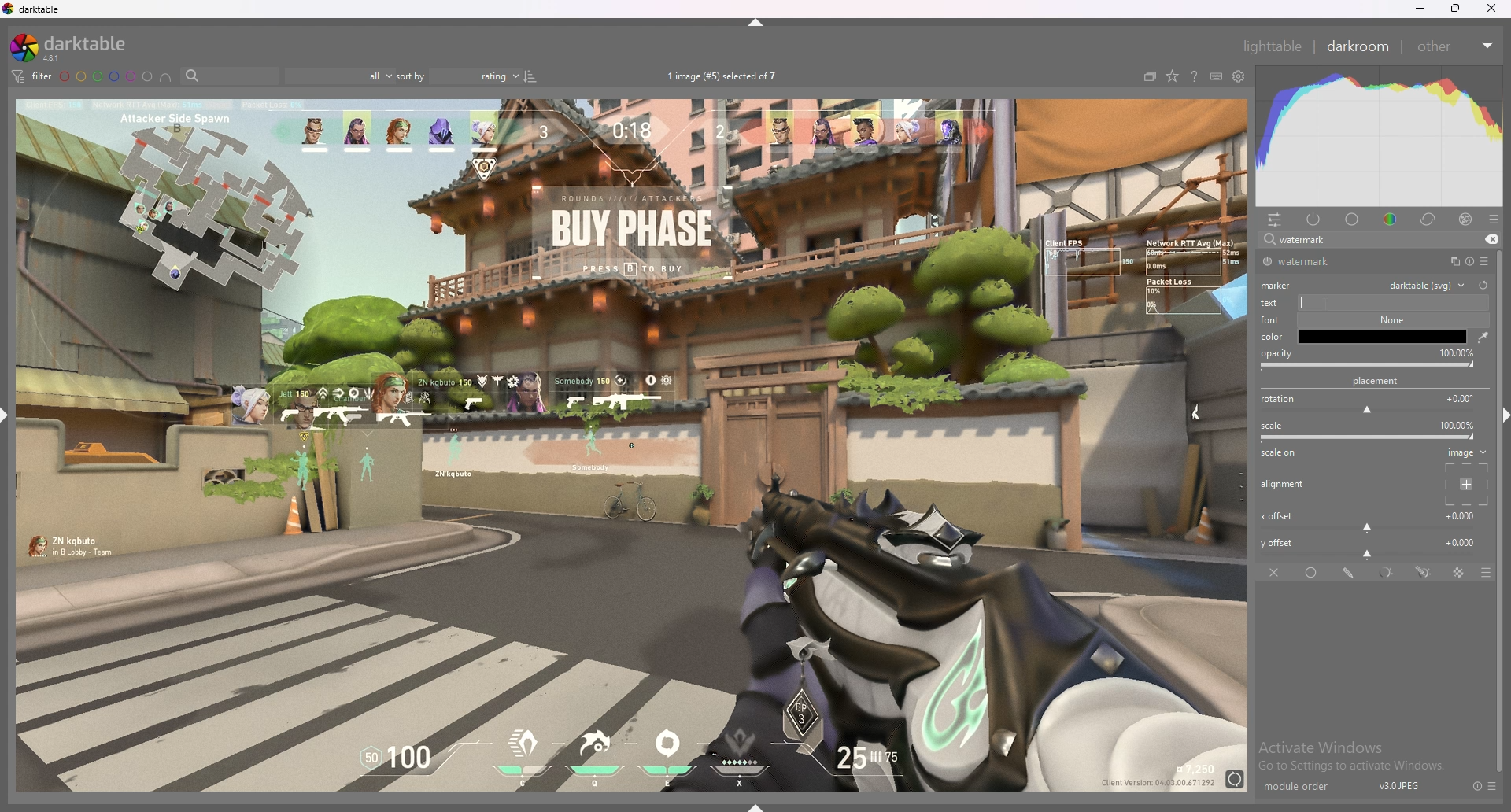  What do you see at coordinates (1502, 600) in the screenshot?
I see `scroll bar` at bounding box center [1502, 600].